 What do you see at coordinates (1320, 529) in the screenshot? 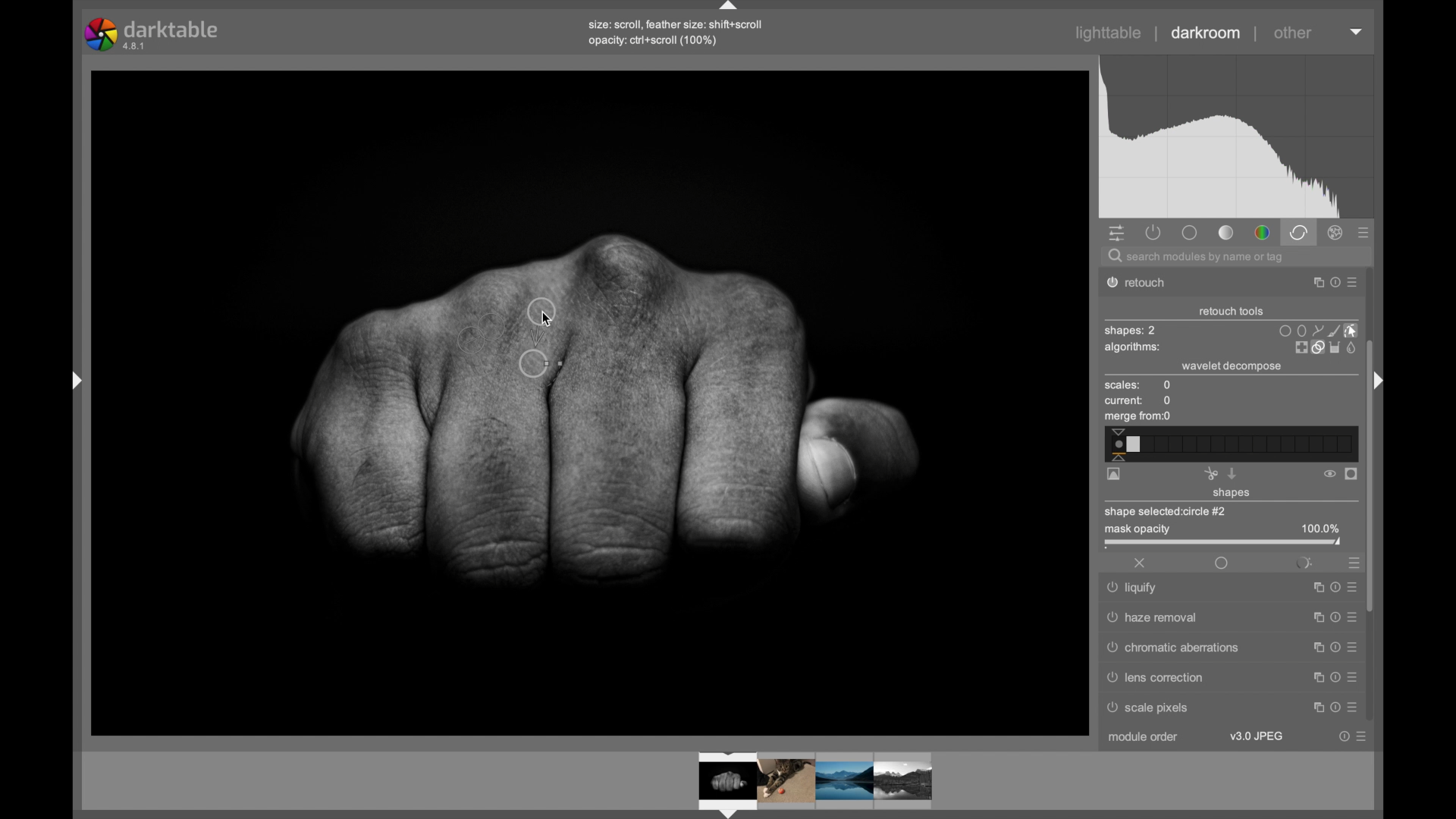
I see `100%` at bounding box center [1320, 529].